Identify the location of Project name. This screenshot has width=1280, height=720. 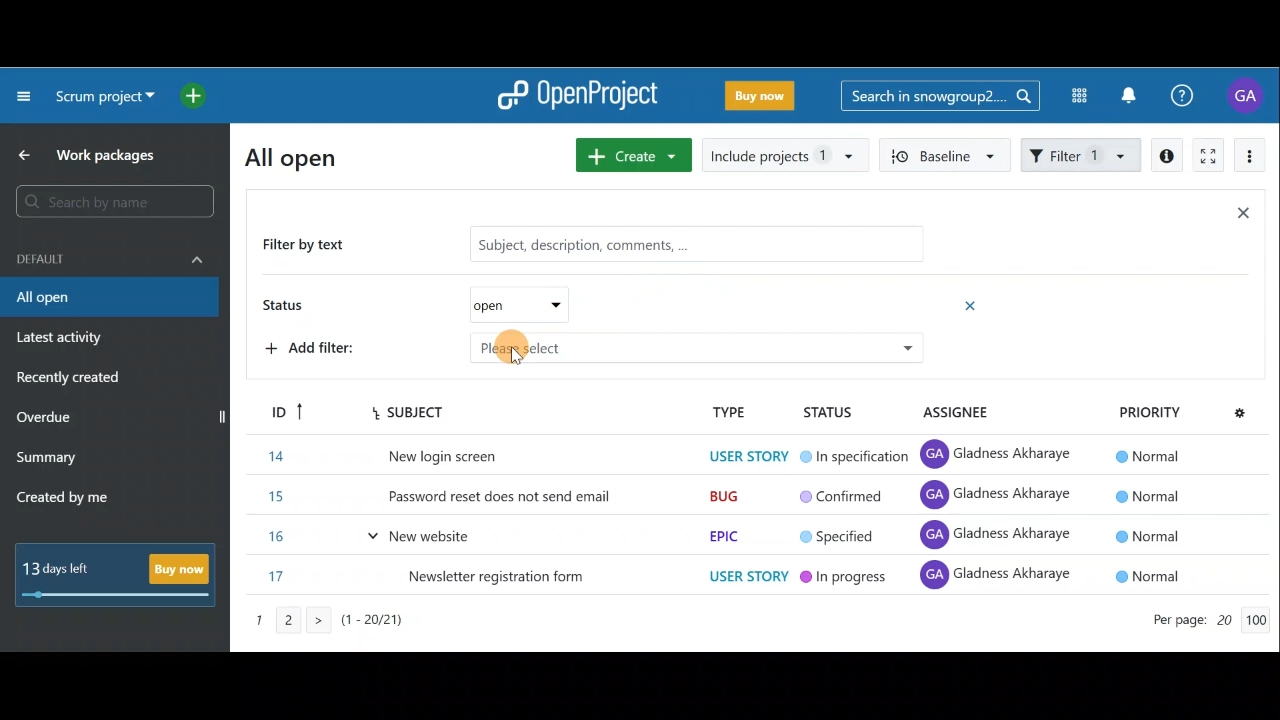
(102, 101).